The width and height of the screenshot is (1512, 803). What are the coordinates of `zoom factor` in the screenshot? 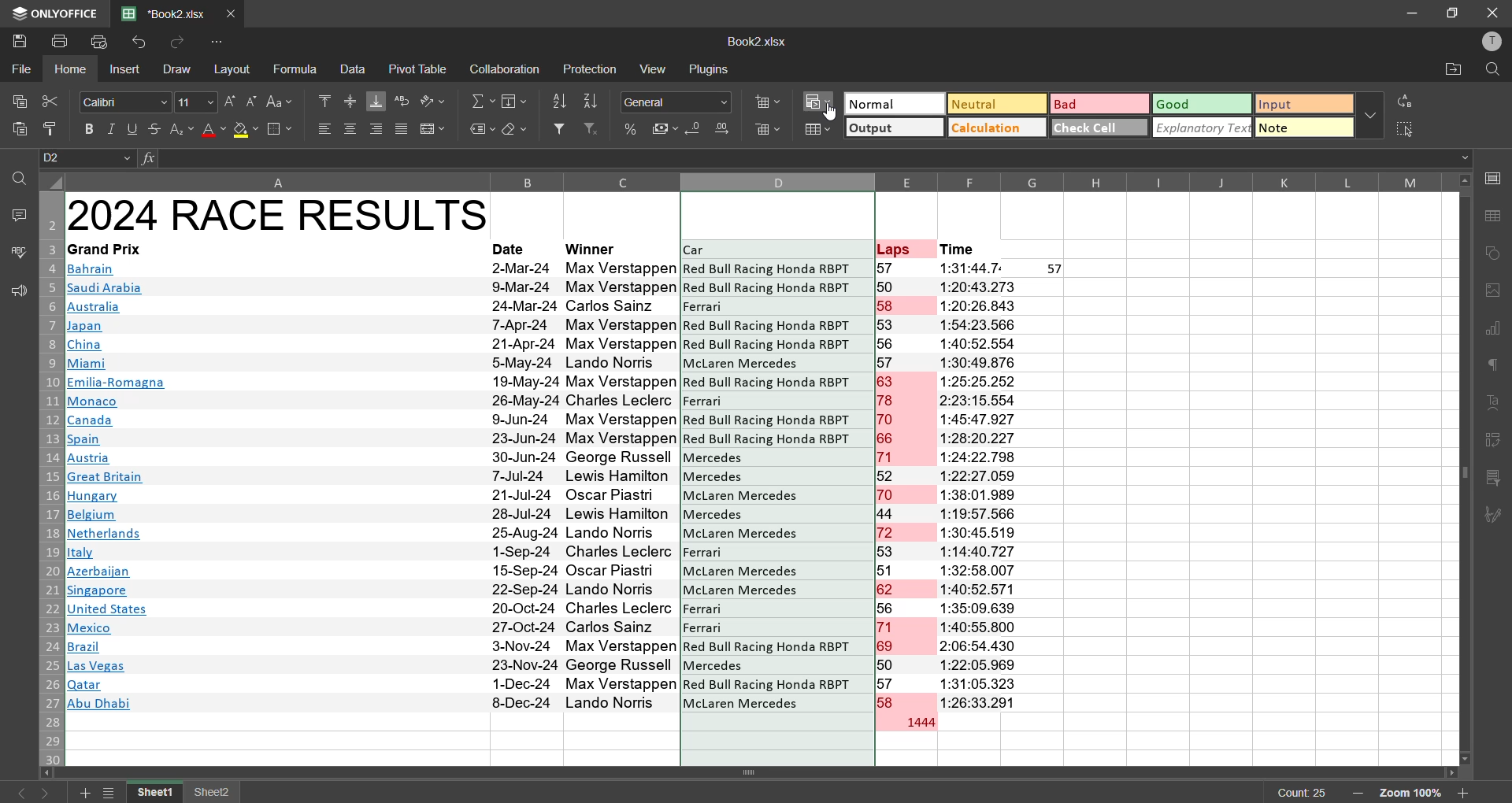 It's located at (1412, 794).